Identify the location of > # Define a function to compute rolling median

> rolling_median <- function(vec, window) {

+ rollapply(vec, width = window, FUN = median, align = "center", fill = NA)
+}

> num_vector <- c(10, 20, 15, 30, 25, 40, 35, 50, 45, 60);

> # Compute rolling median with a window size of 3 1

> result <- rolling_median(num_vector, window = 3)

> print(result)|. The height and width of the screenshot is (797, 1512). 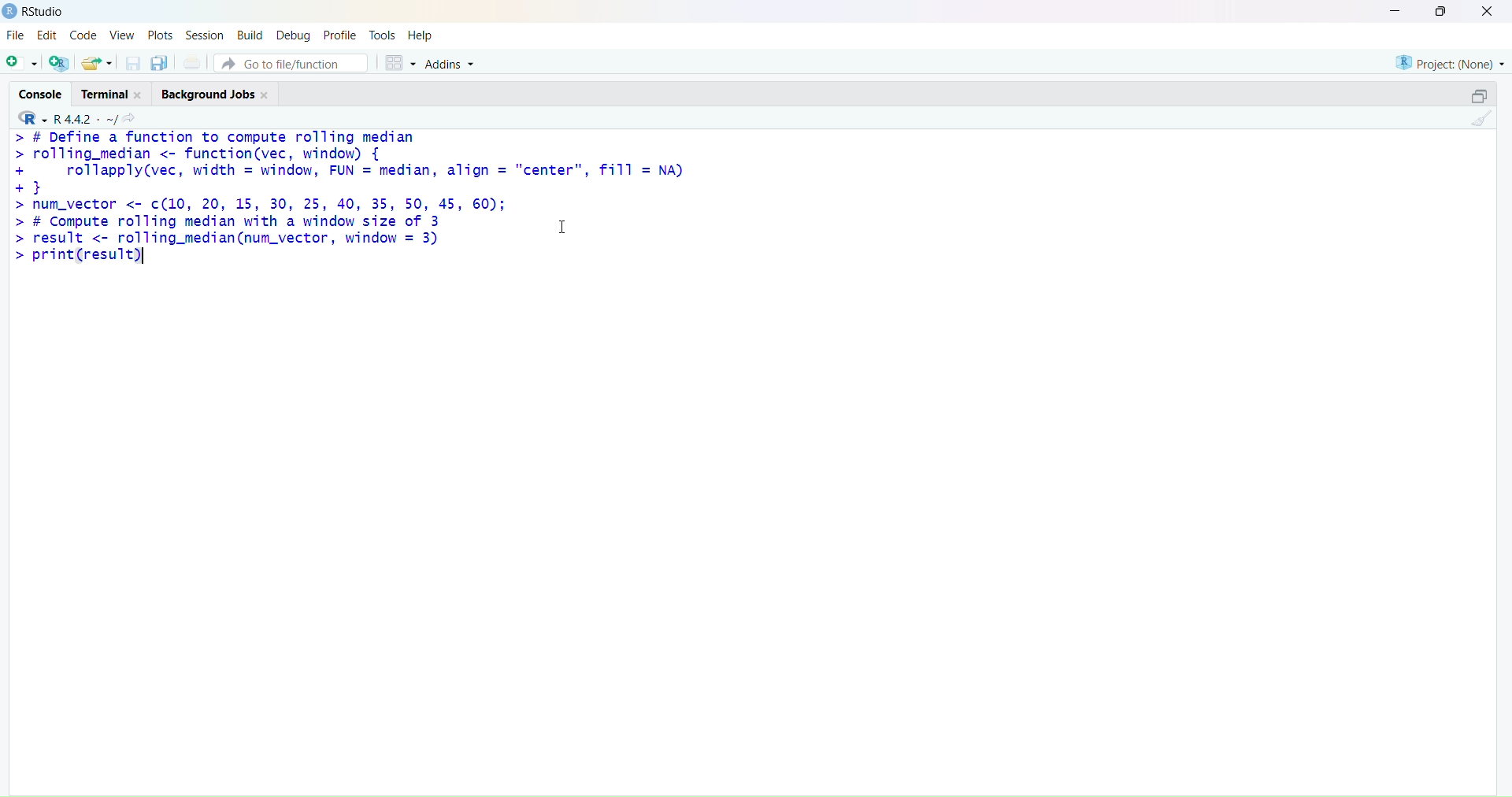
(348, 198).